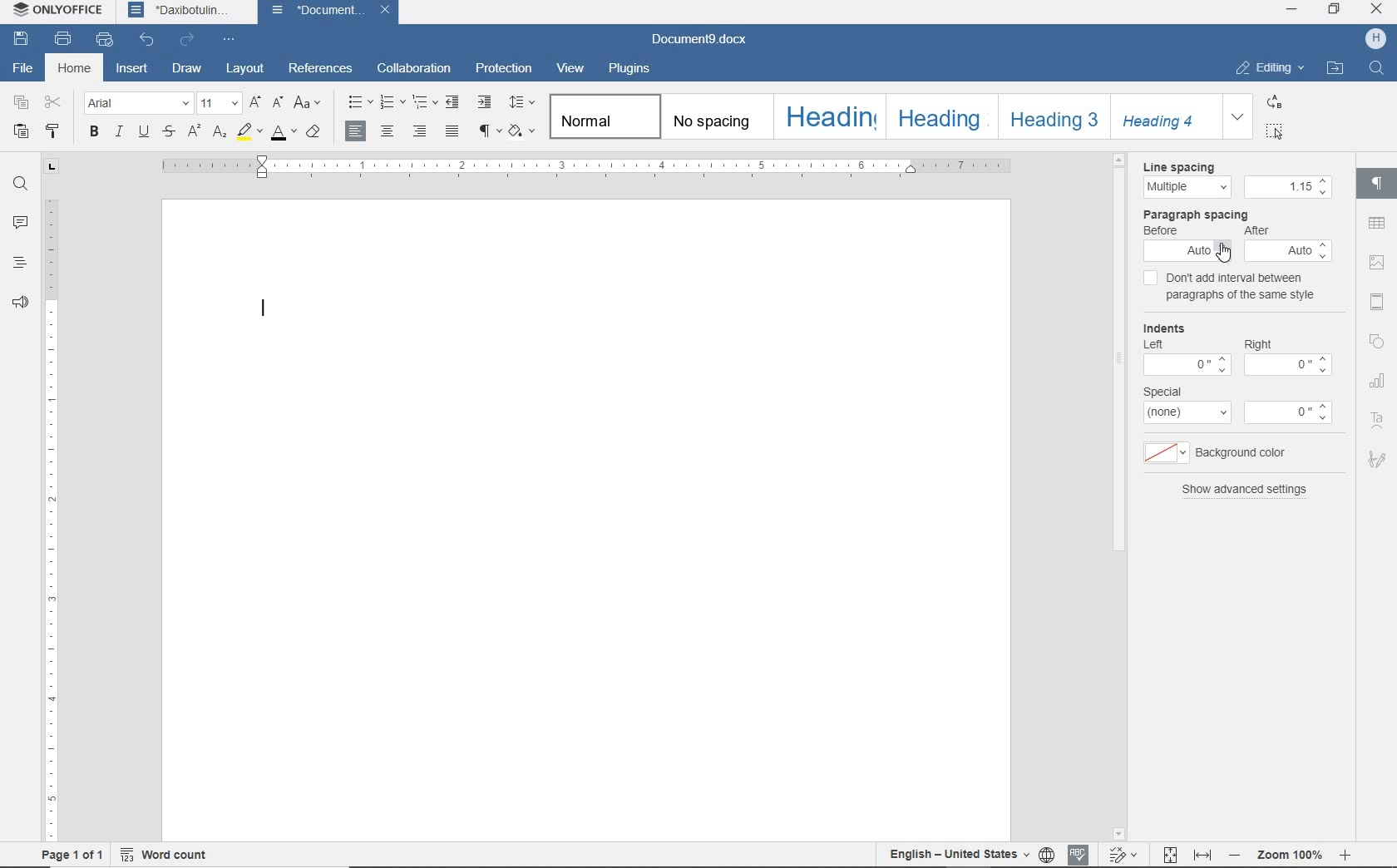  What do you see at coordinates (1241, 454) in the screenshot?
I see `background color` at bounding box center [1241, 454].